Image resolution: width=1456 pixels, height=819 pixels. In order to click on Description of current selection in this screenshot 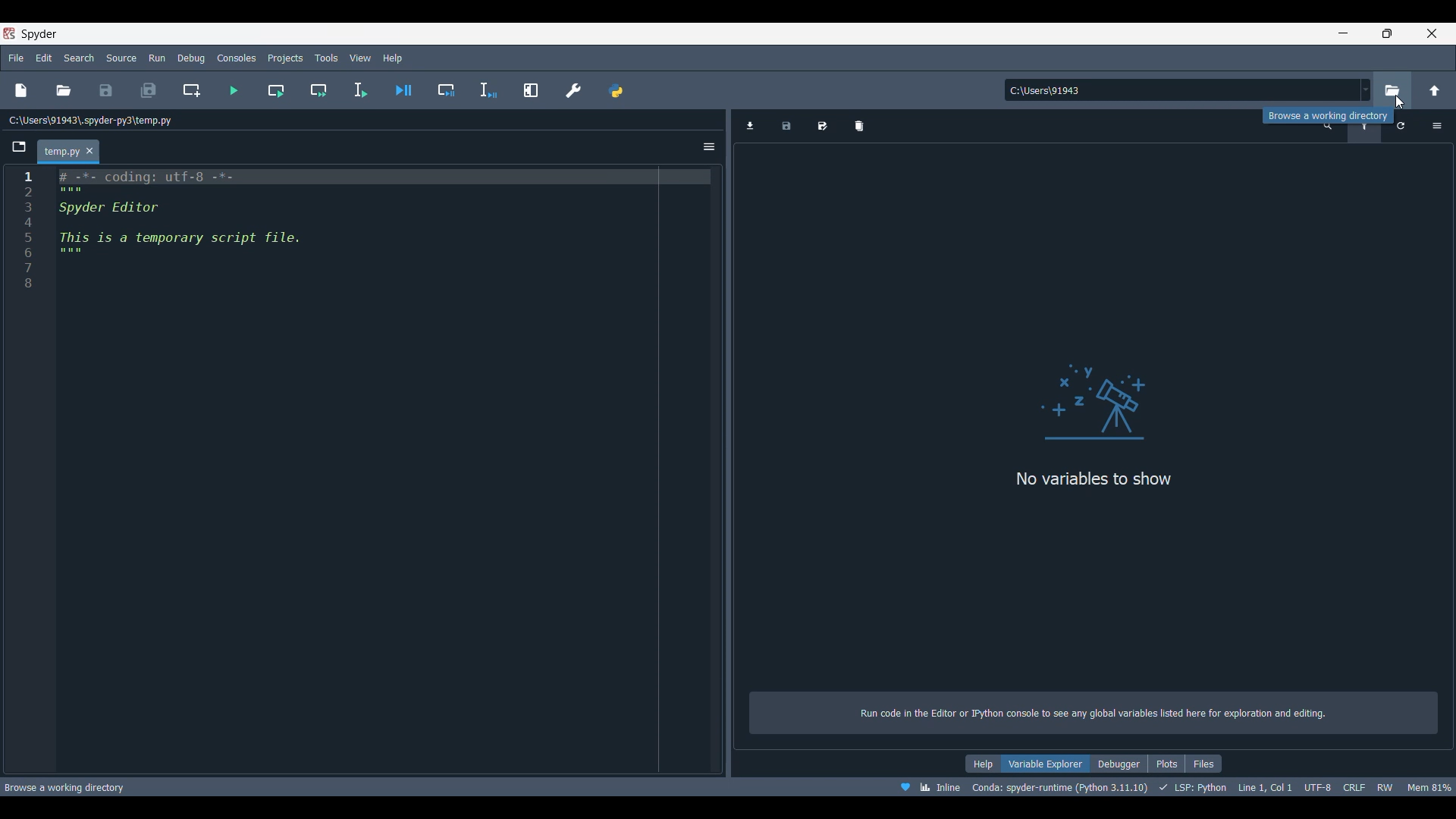, I will do `click(1329, 115)`.